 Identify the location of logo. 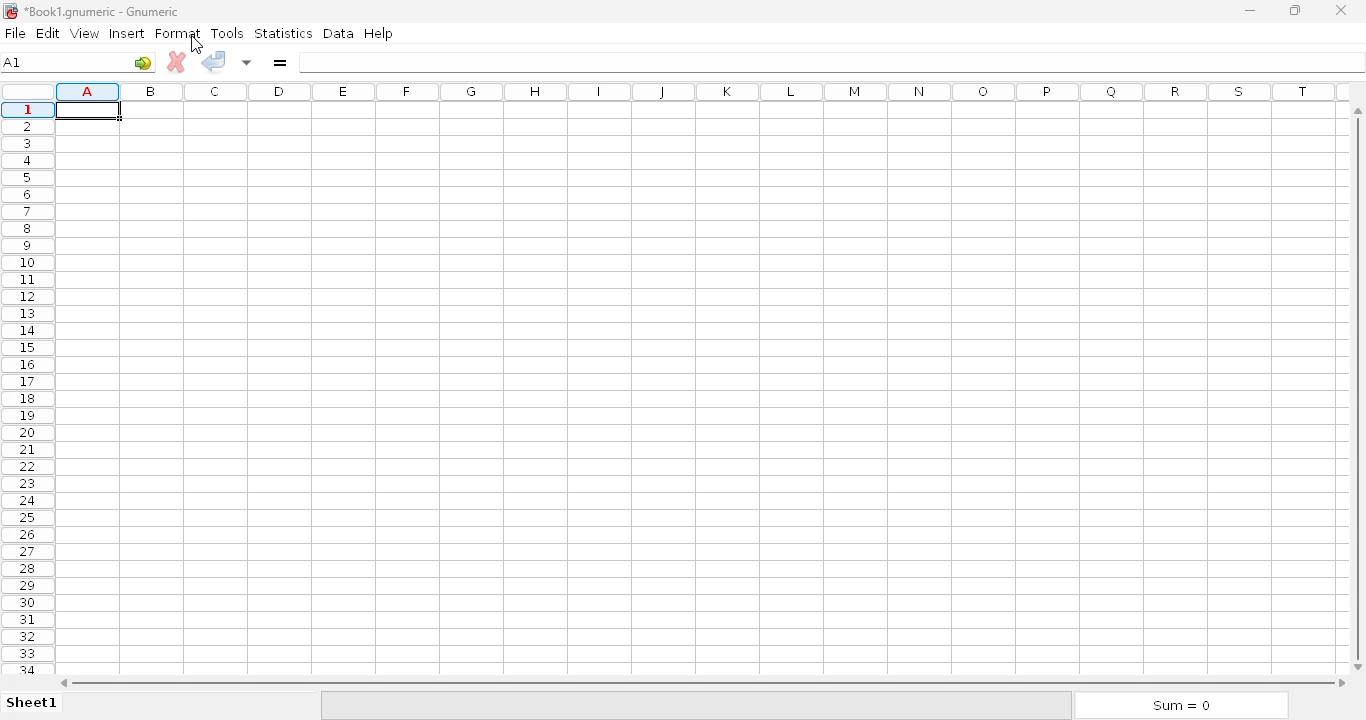
(9, 10).